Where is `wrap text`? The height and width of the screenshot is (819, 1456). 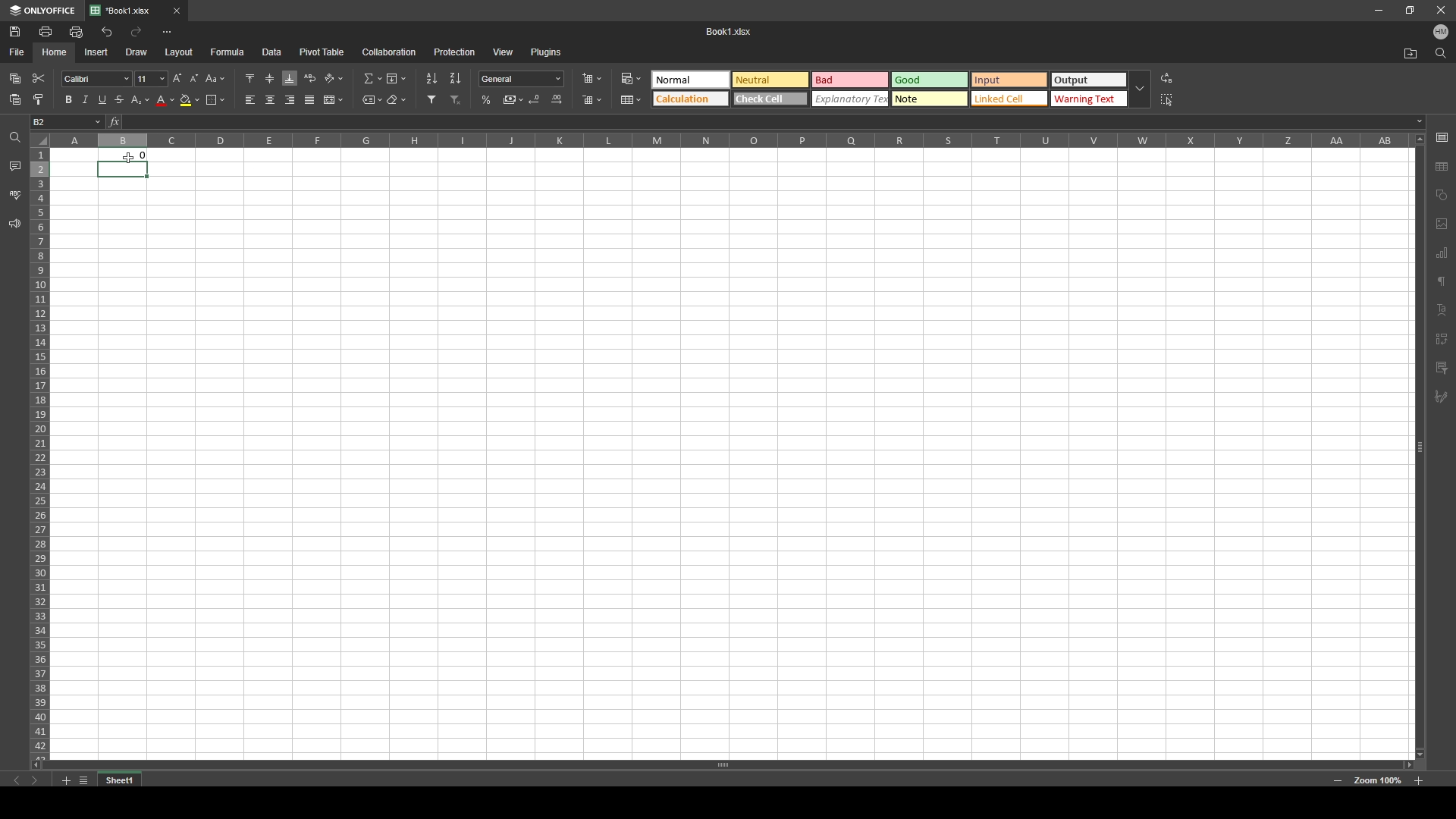 wrap text is located at coordinates (311, 77).